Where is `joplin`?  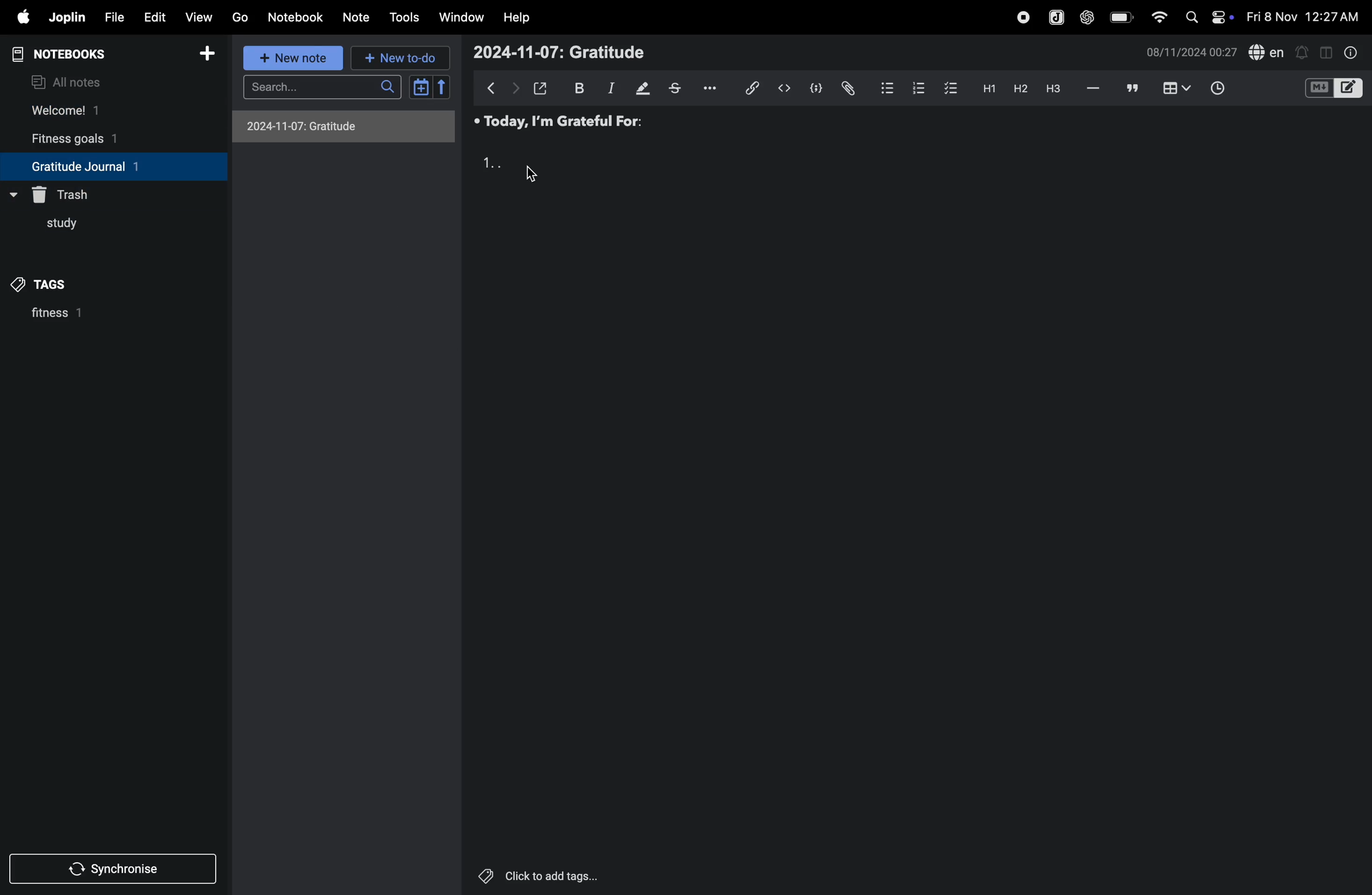 joplin is located at coordinates (67, 16).